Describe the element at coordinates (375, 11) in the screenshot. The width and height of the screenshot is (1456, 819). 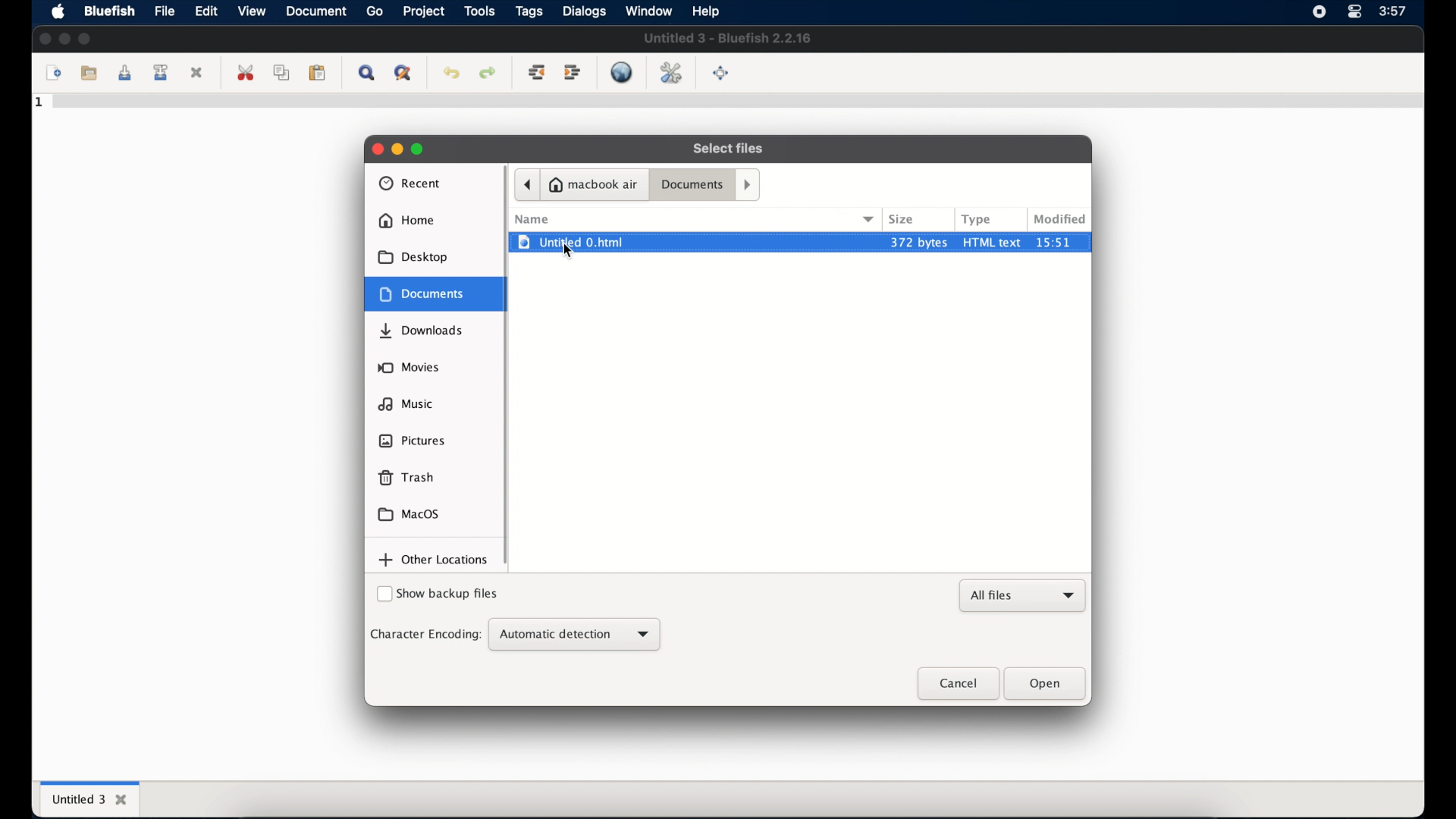
I see `go` at that location.